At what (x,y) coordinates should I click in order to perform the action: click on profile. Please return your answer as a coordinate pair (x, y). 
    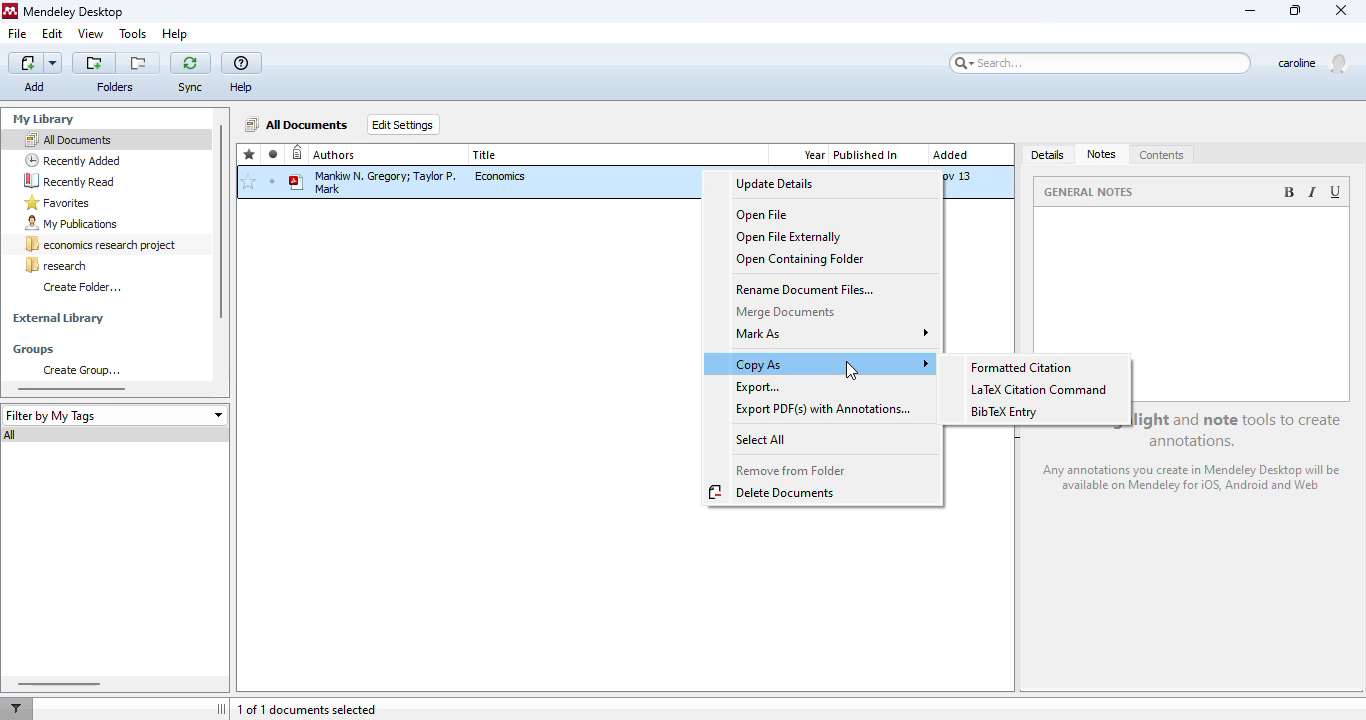
    Looking at the image, I should click on (1312, 64).